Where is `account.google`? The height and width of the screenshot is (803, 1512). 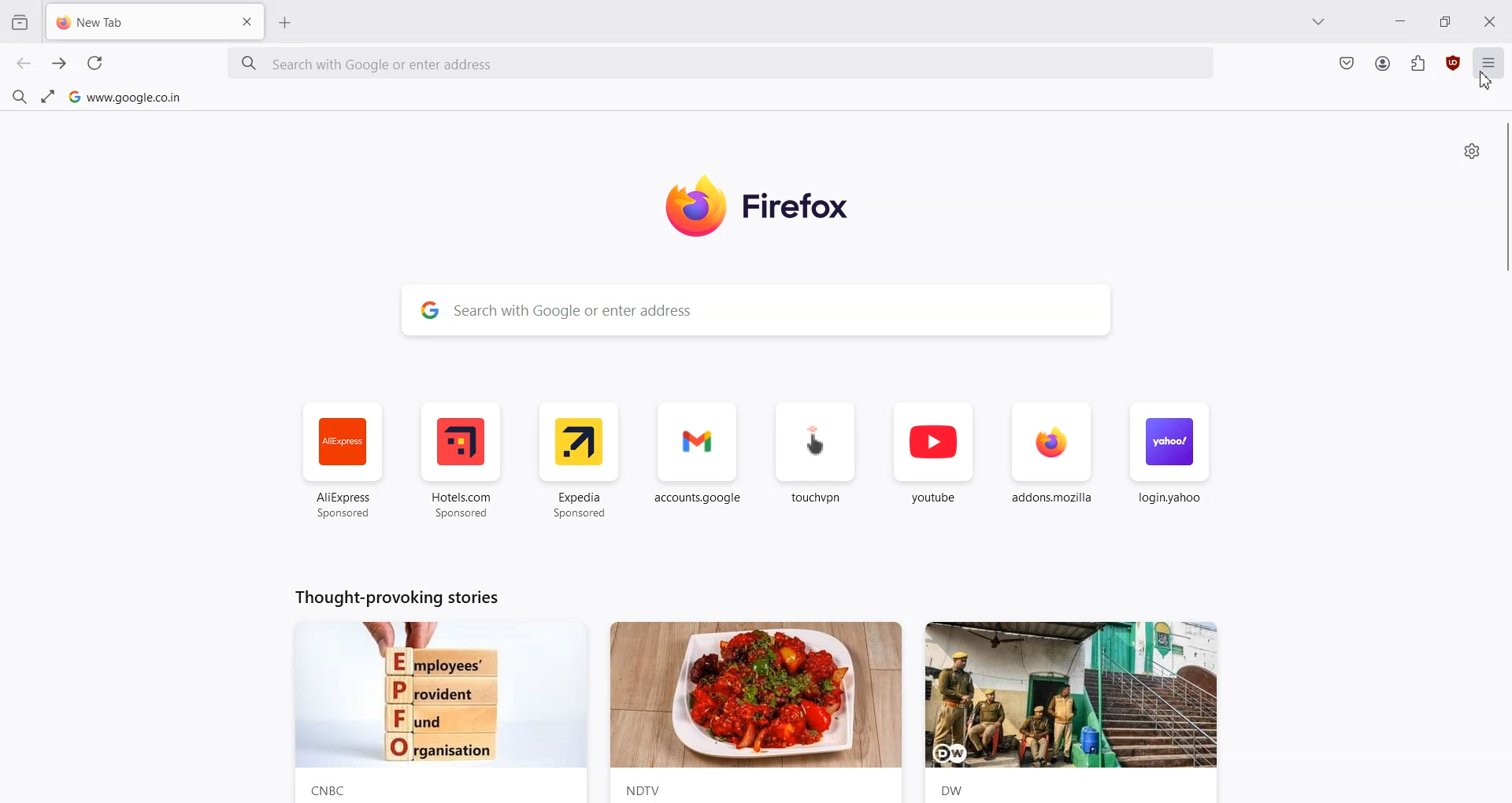 account.google is located at coordinates (699, 461).